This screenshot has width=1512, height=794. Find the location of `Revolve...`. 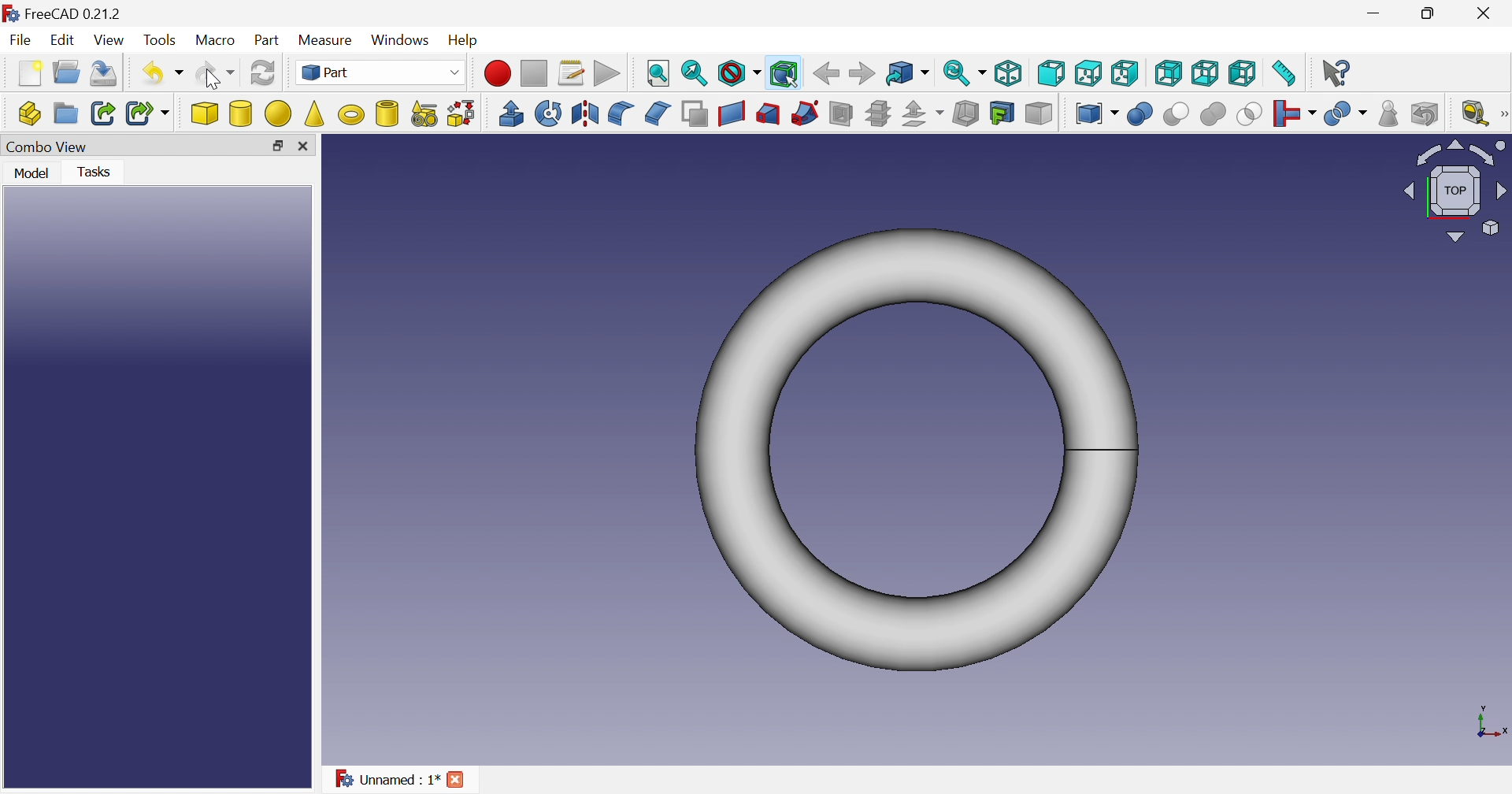

Revolve... is located at coordinates (548, 113).